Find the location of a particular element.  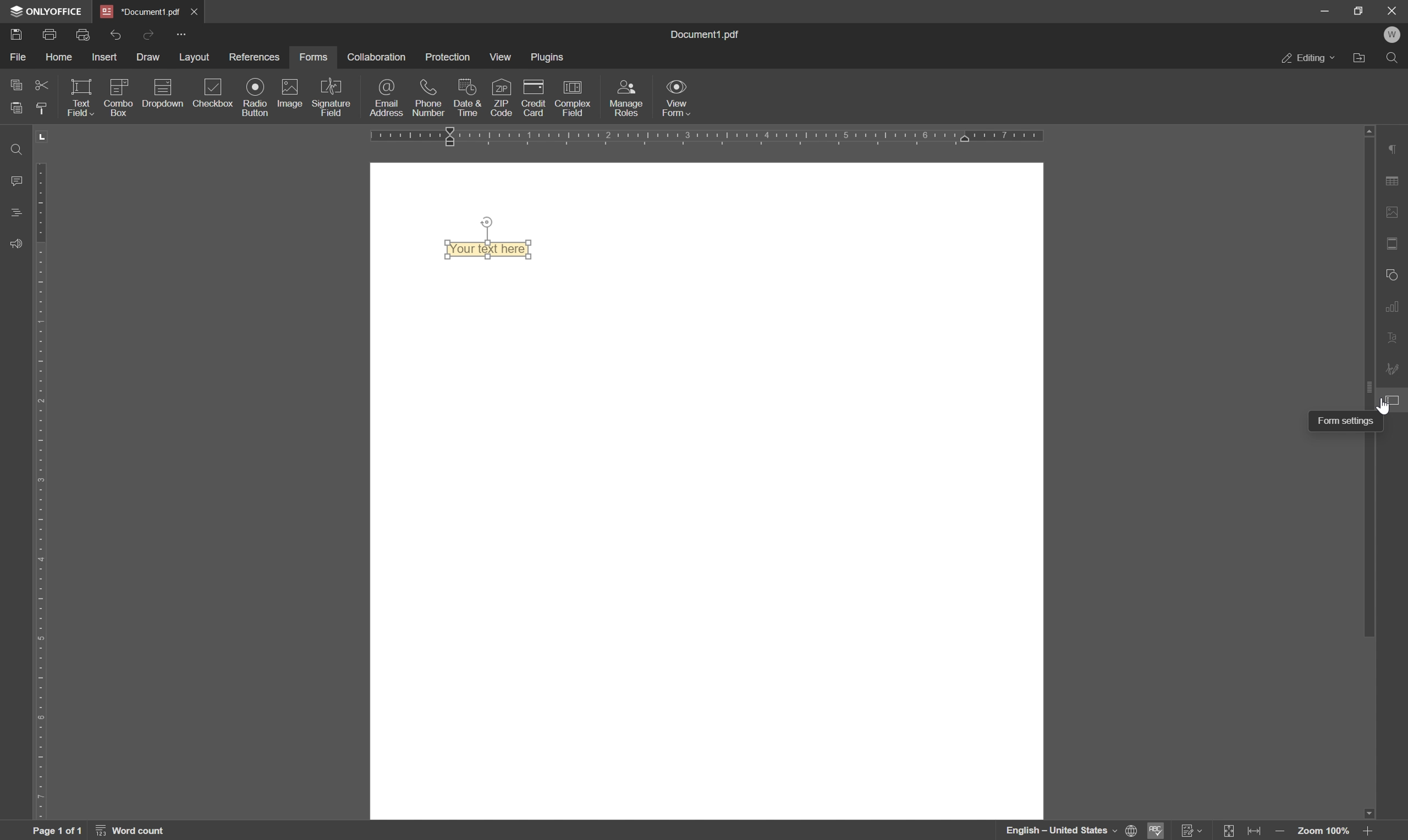

phone number is located at coordinates (430, 97).